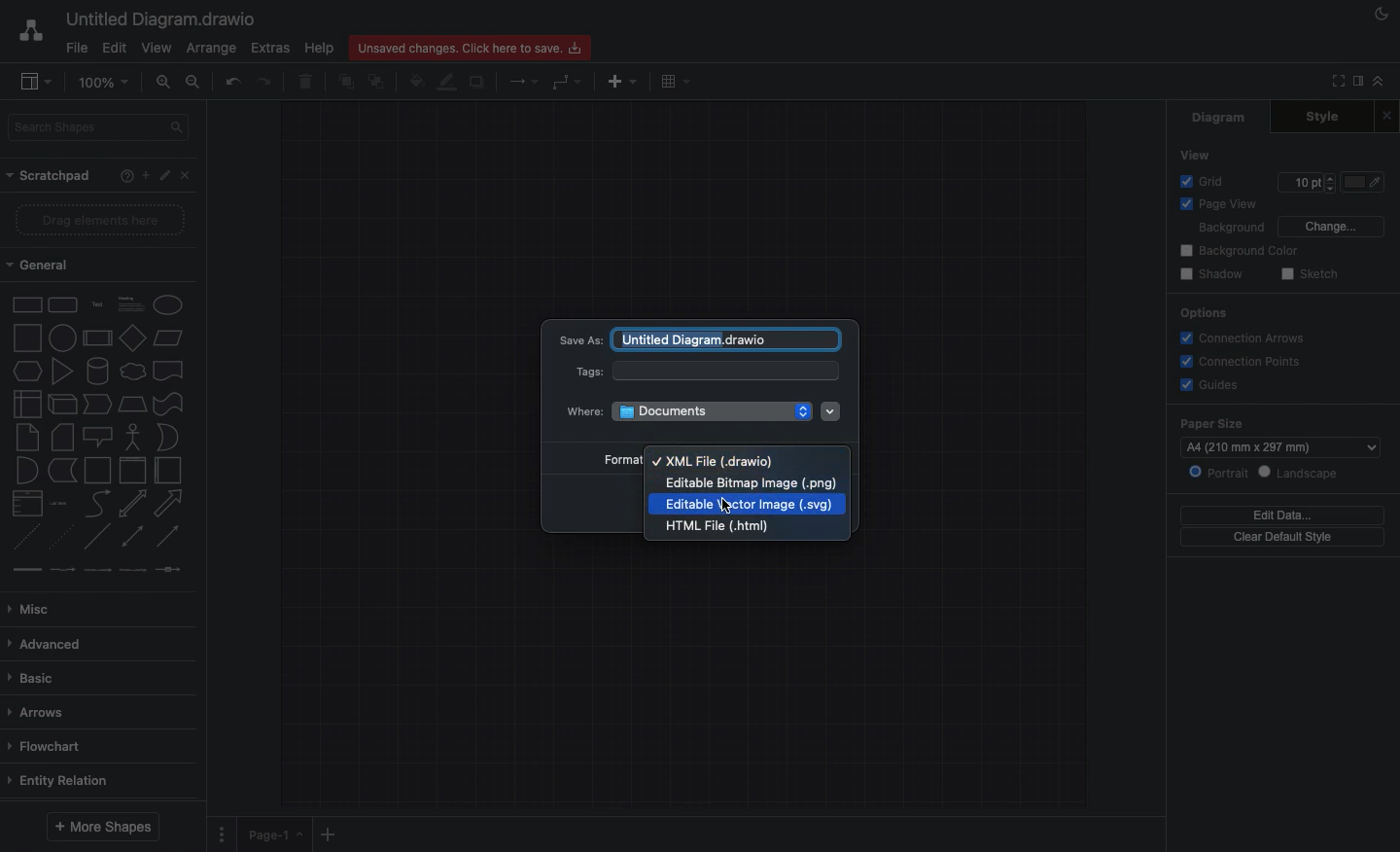  I want to click on Change, so click(1331, 225).